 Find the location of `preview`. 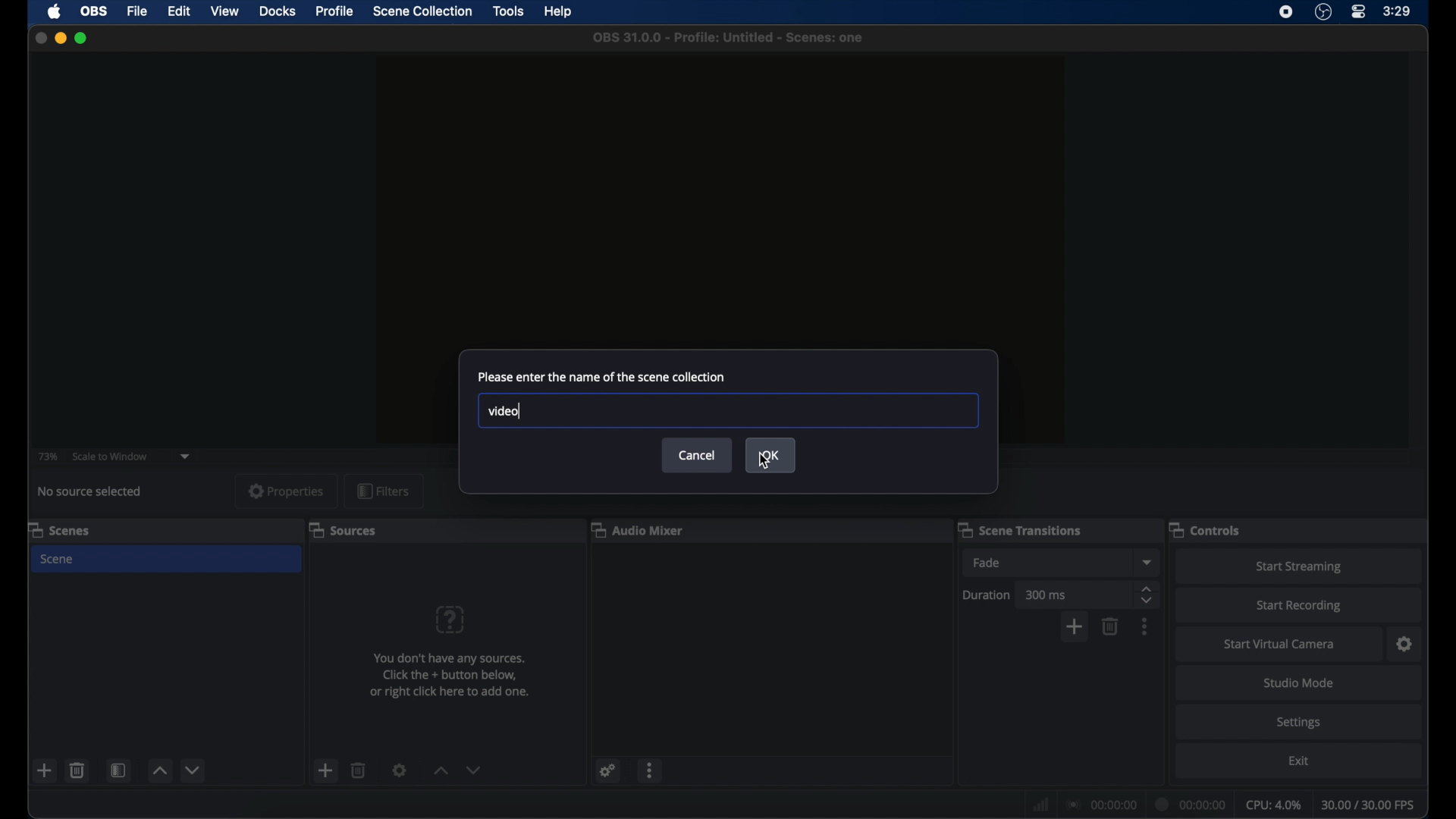

preview is located at coordinates (722, 184).